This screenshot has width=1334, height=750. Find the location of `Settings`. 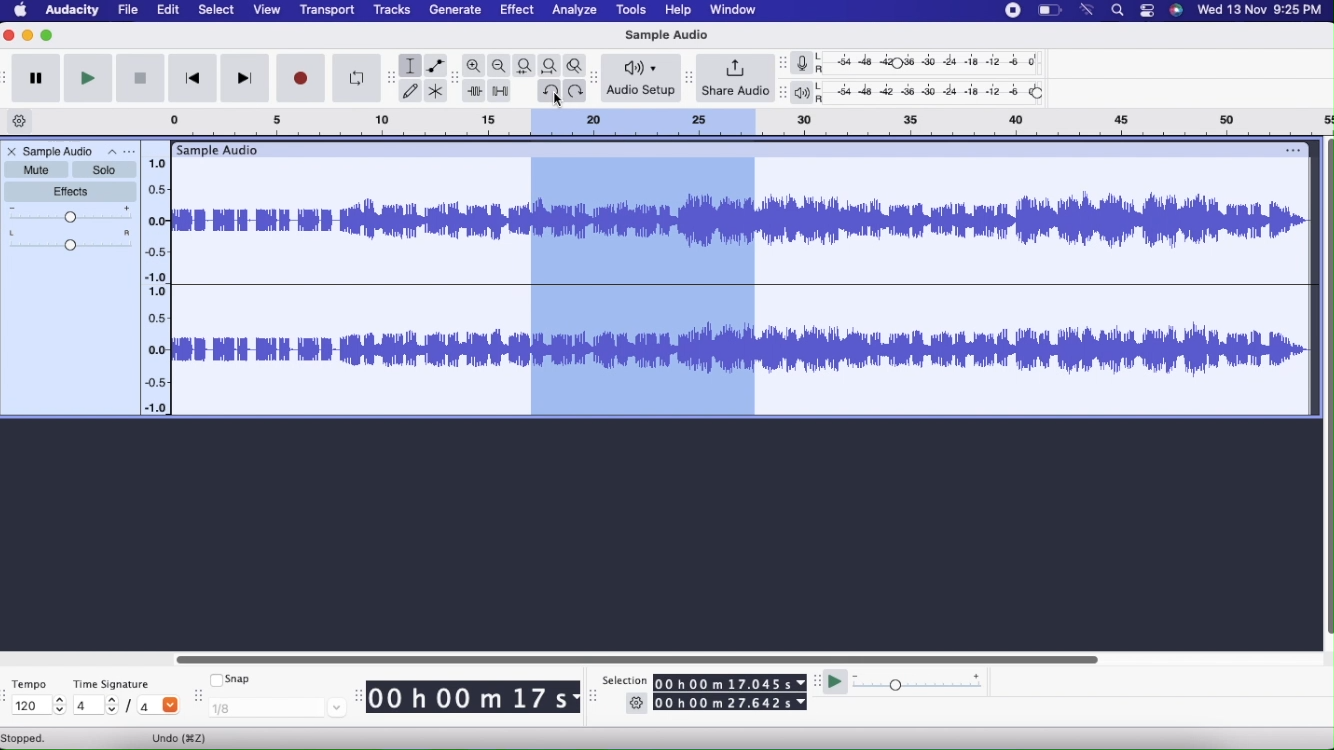

Settings is located at coordinates (639, 703).